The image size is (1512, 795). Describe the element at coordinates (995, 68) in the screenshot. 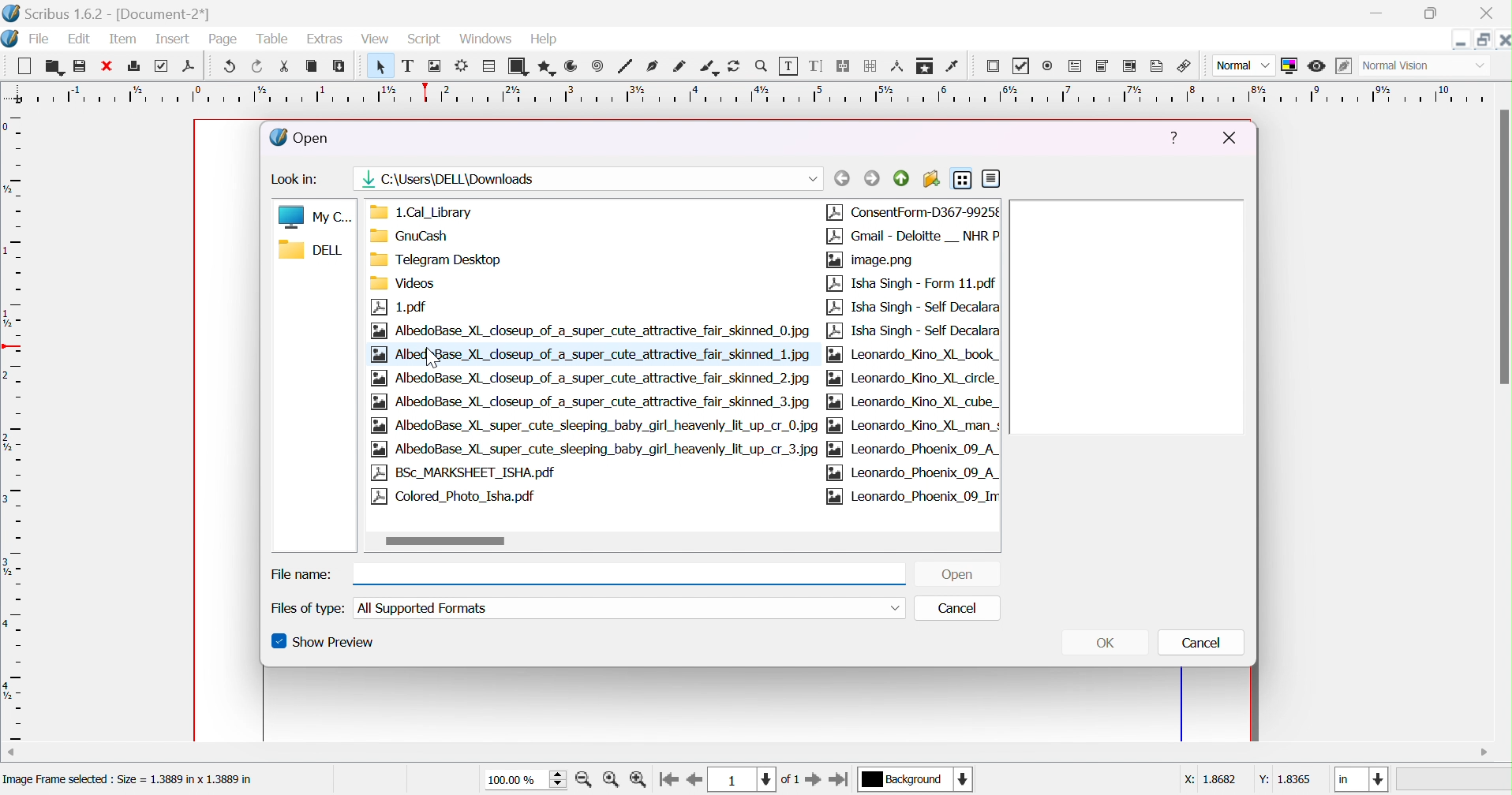

I see `PDF push button` at that location.